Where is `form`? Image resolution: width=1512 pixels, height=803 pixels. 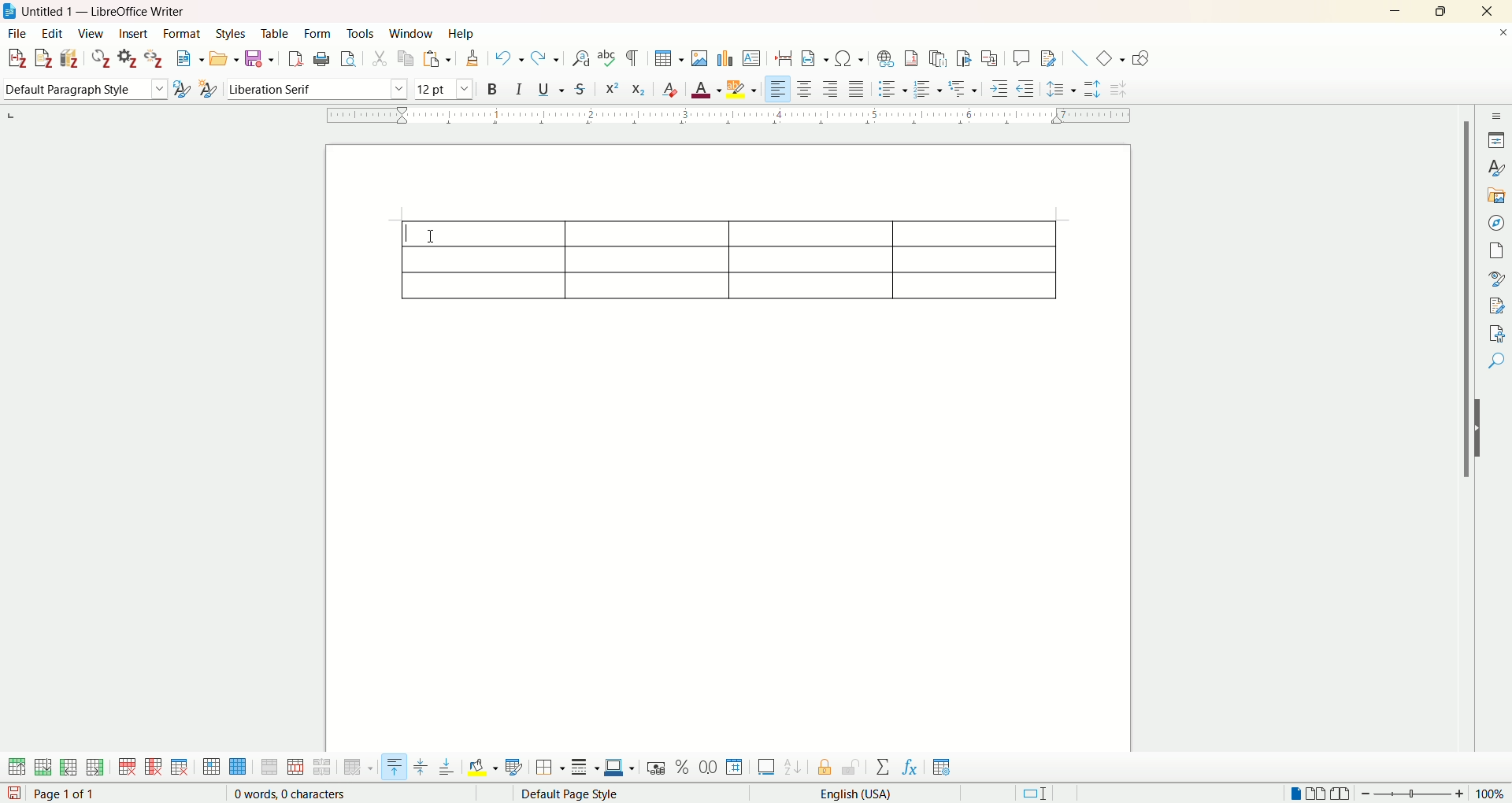
form is located at coordinates (317, 31).